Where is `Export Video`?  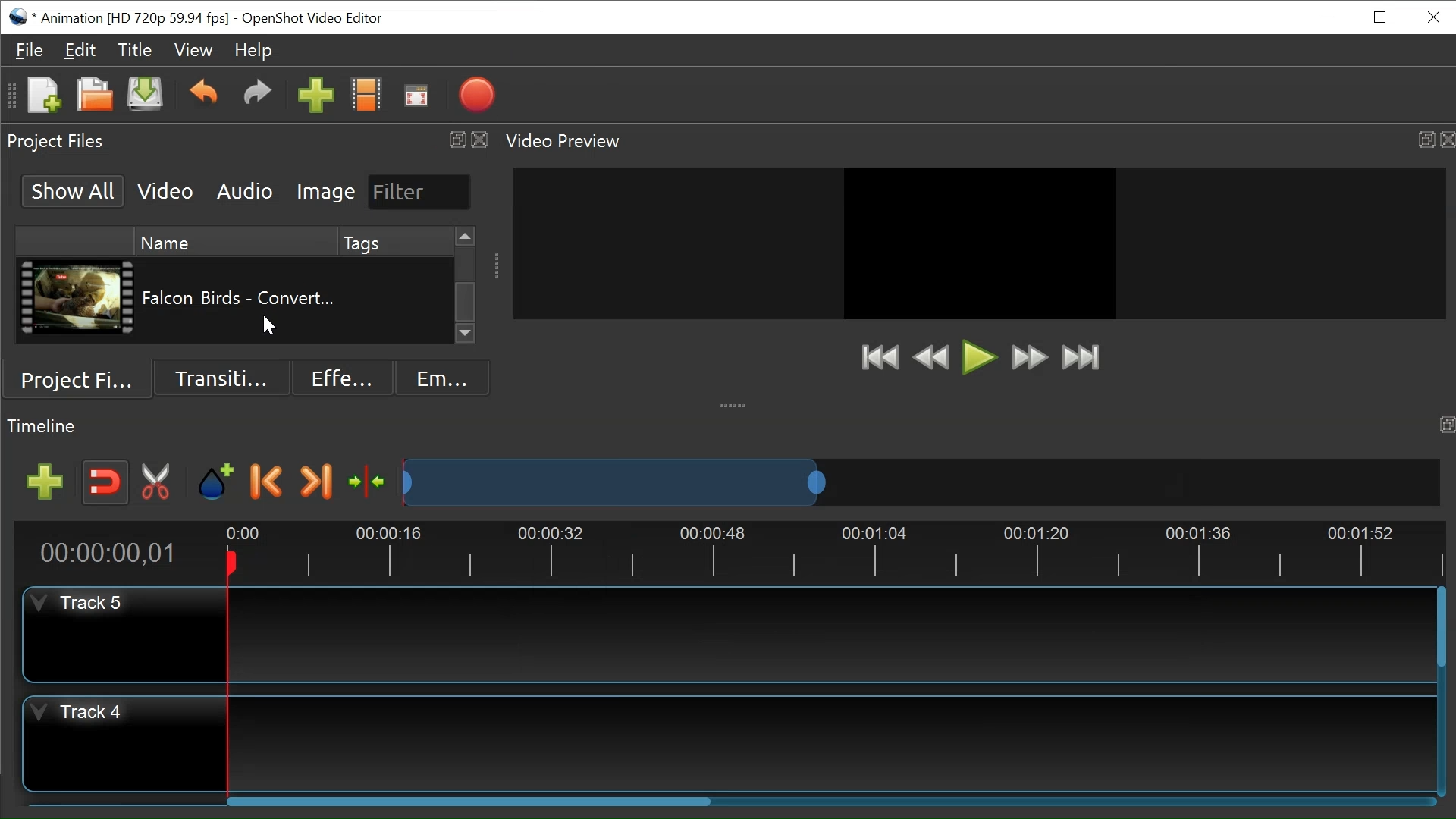
Export Video is located at coordinates (477, 94).